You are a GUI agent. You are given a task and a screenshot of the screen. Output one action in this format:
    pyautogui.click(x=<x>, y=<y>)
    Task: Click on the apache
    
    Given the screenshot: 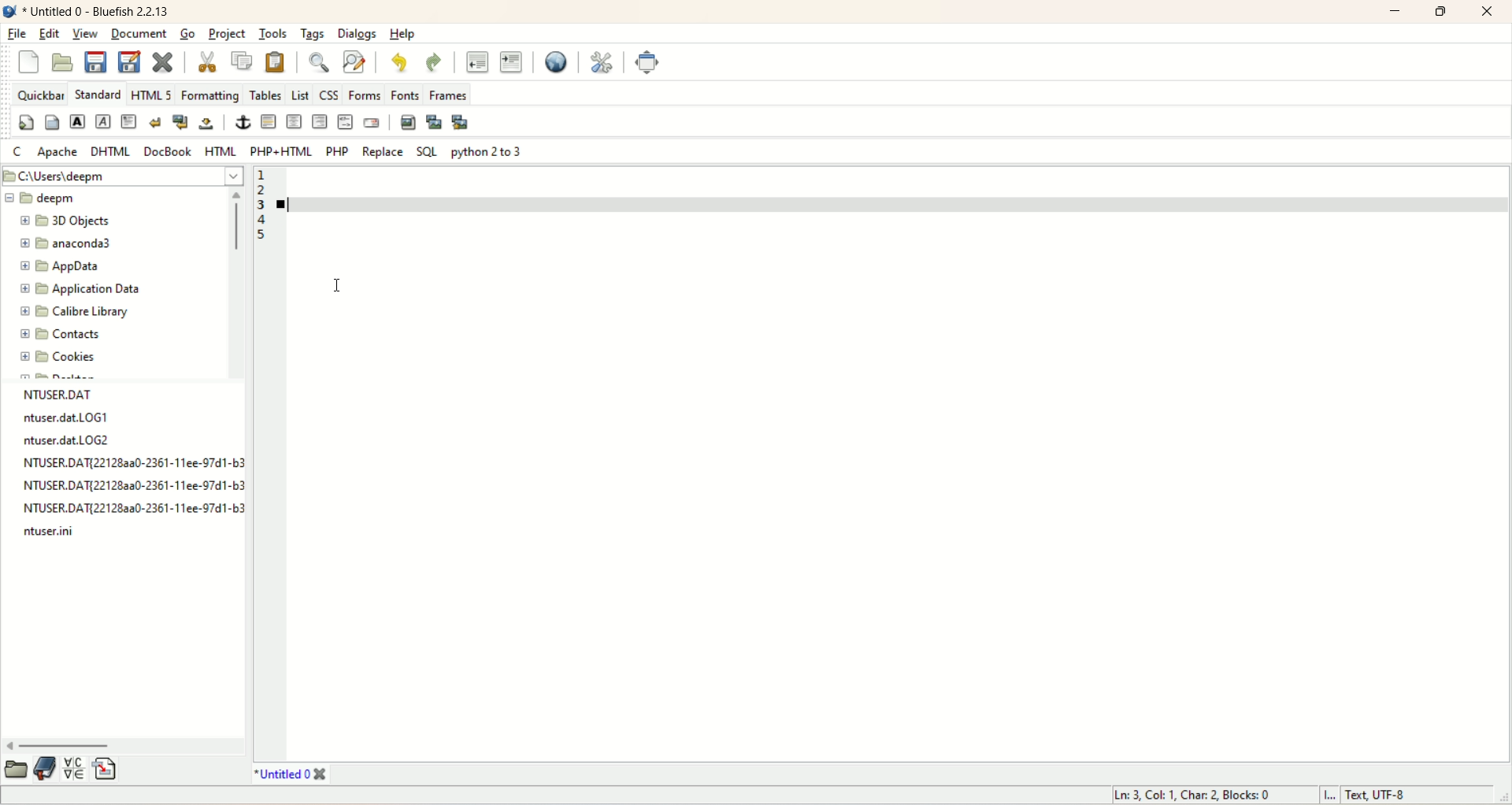 What is the action you would take?
    pyautogui.click(x=58, y=152)
    